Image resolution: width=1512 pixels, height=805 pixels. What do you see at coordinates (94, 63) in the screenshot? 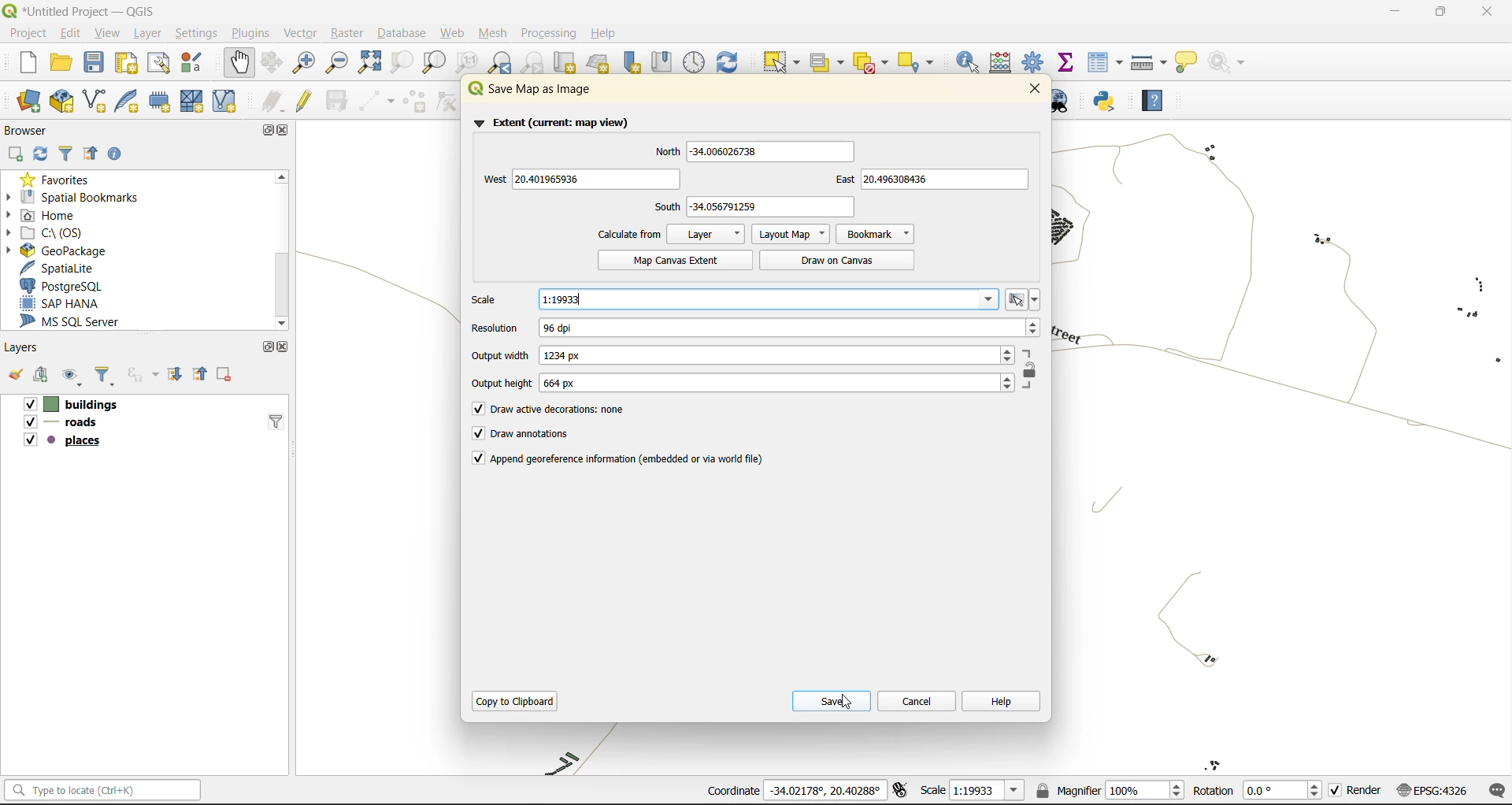
I see `save` at bounding box center [94, 63].